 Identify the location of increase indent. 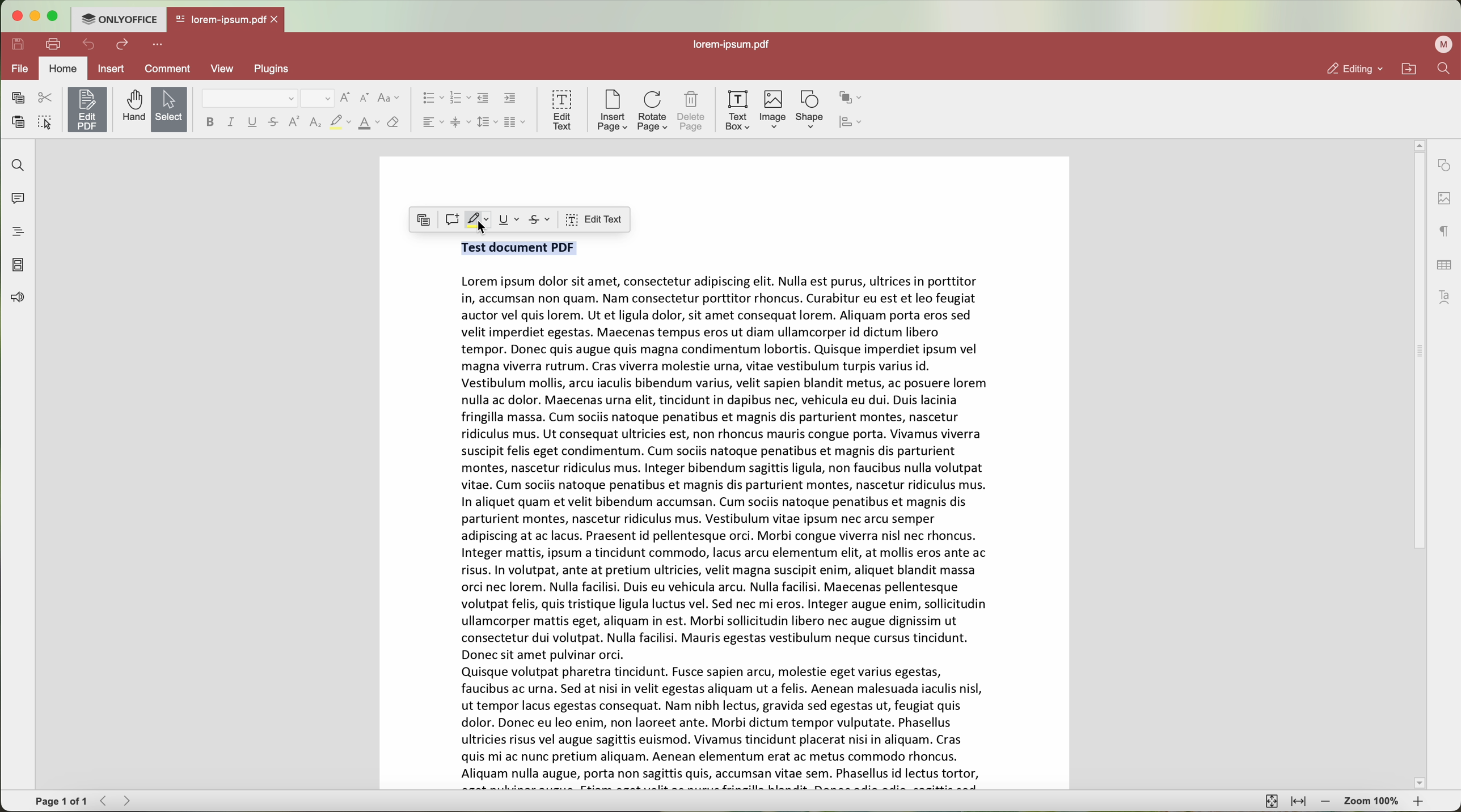
(510, 99).